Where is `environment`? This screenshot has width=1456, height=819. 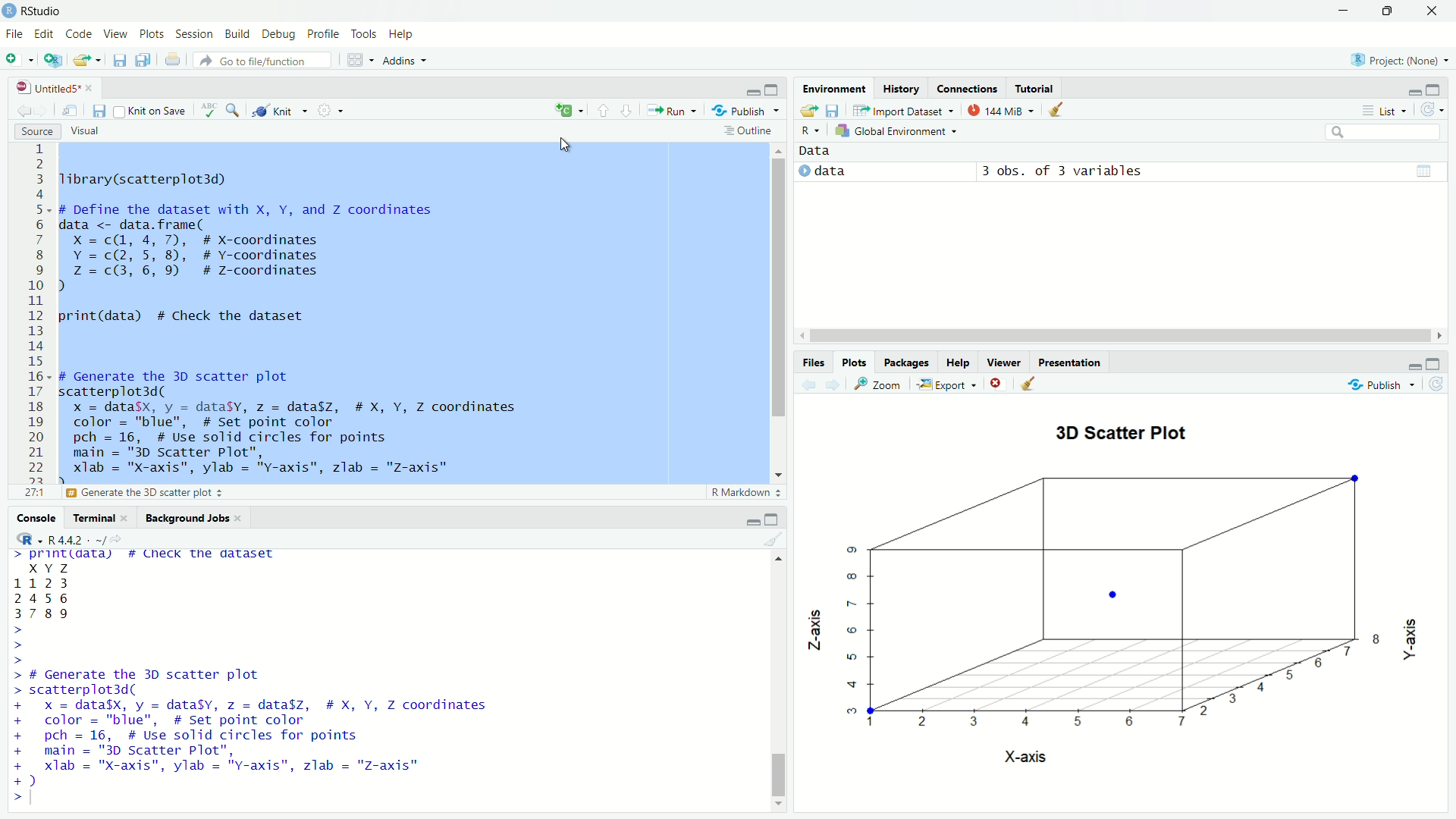 environment is located at coordinates (833, 88).